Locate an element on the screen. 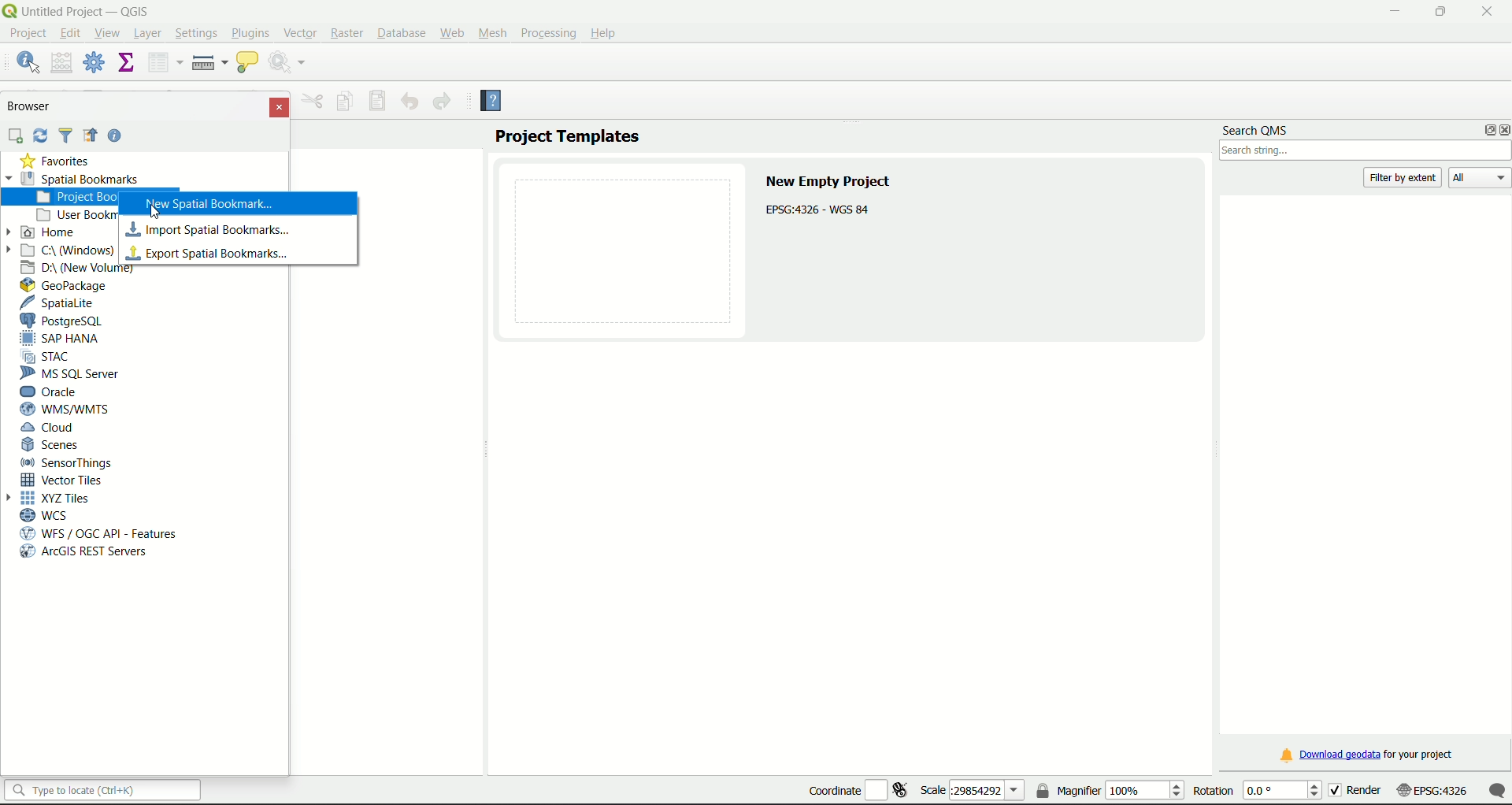  Oracle is located at coordinates (57, 391).